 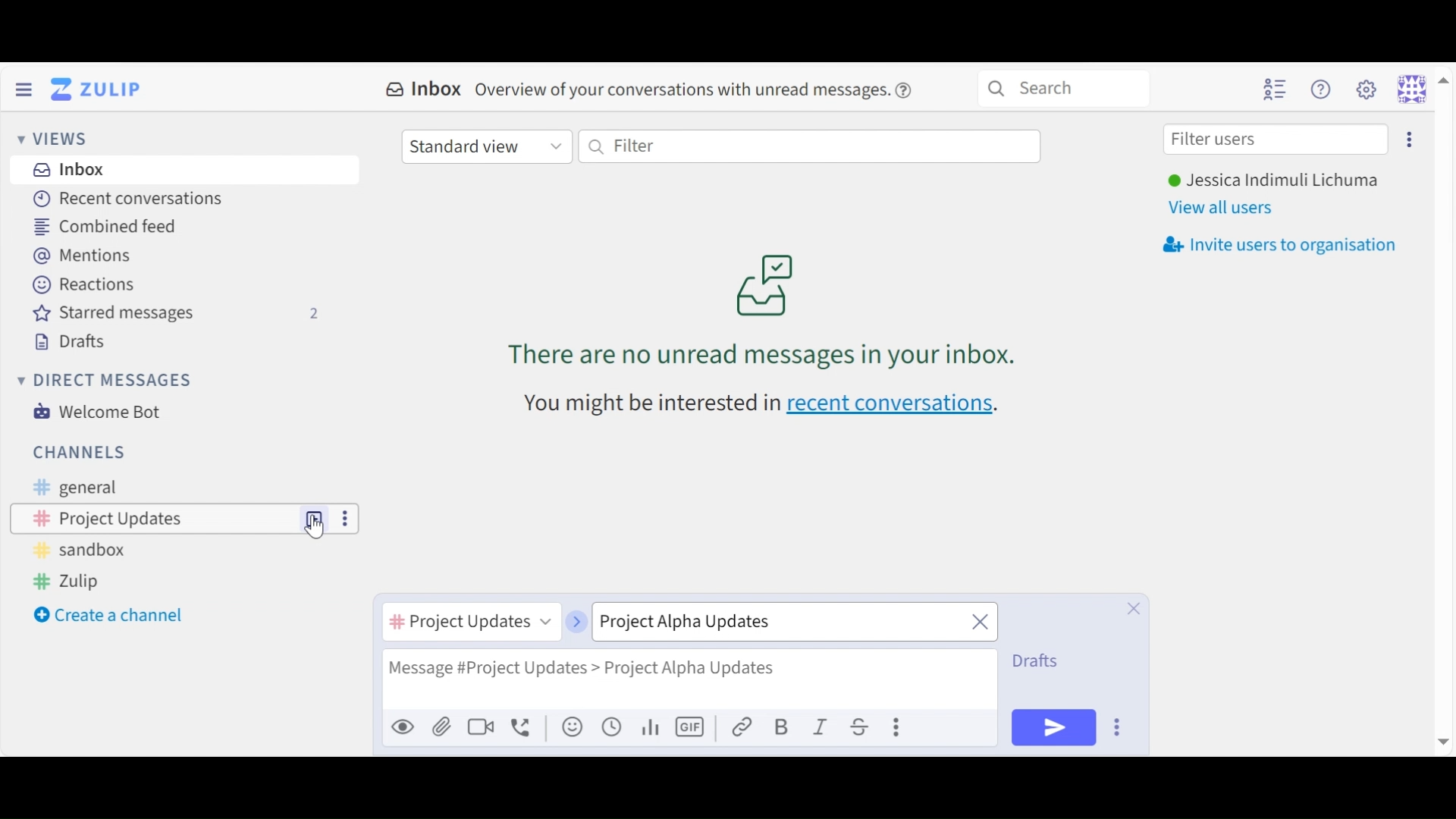 What do you see at coordinates (1276, 140) in the screenshot?
I see `Filter users` at bounding box center [1276, 140].